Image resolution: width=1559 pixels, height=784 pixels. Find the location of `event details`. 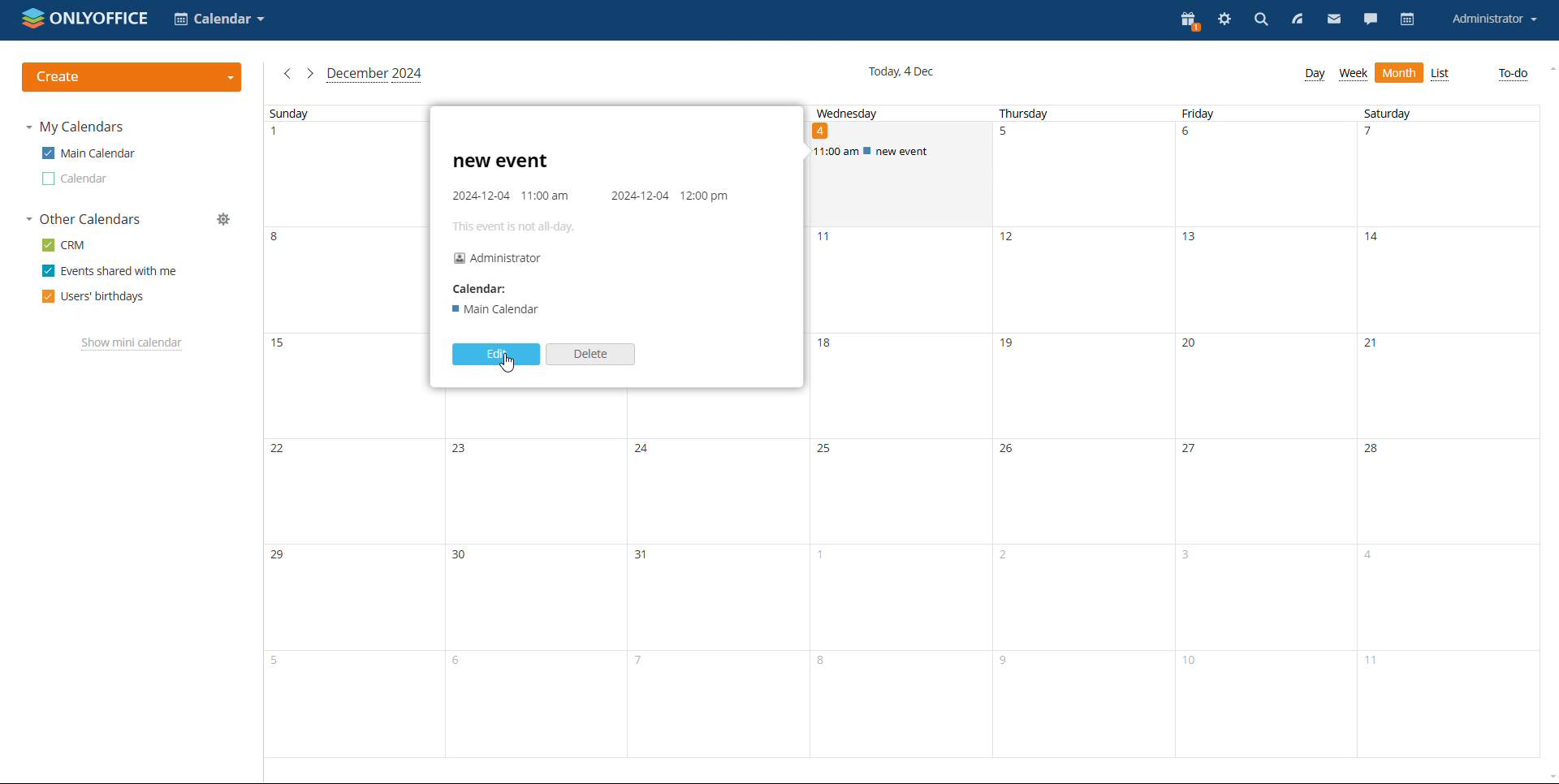

event details is located at coordinates (601, 194).